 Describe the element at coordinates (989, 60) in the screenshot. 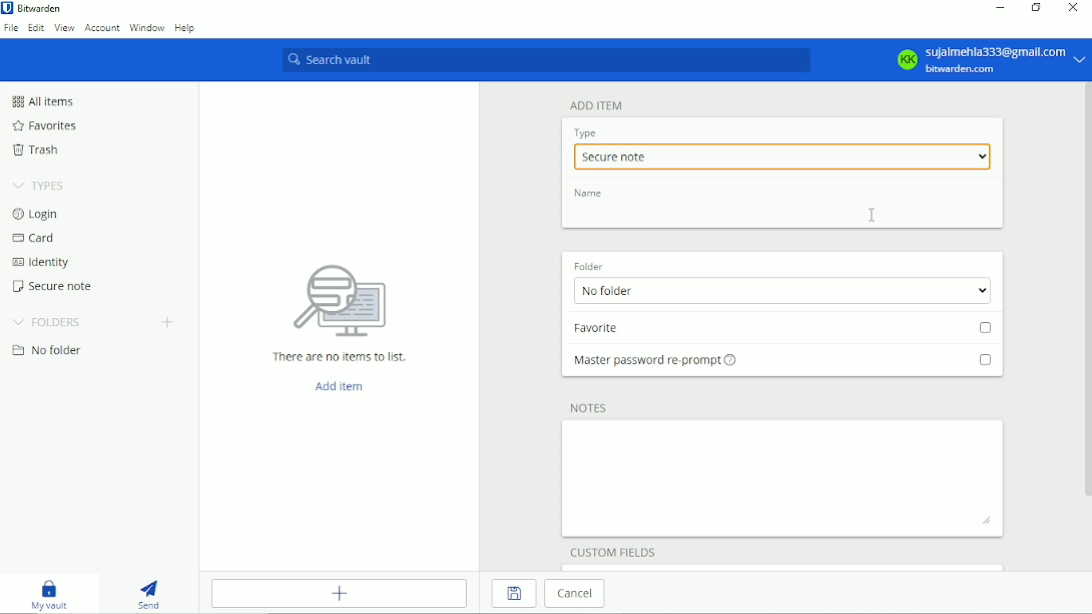

I see `KK sujalmehla333@gmail.com    bitwarden.com` at that location.